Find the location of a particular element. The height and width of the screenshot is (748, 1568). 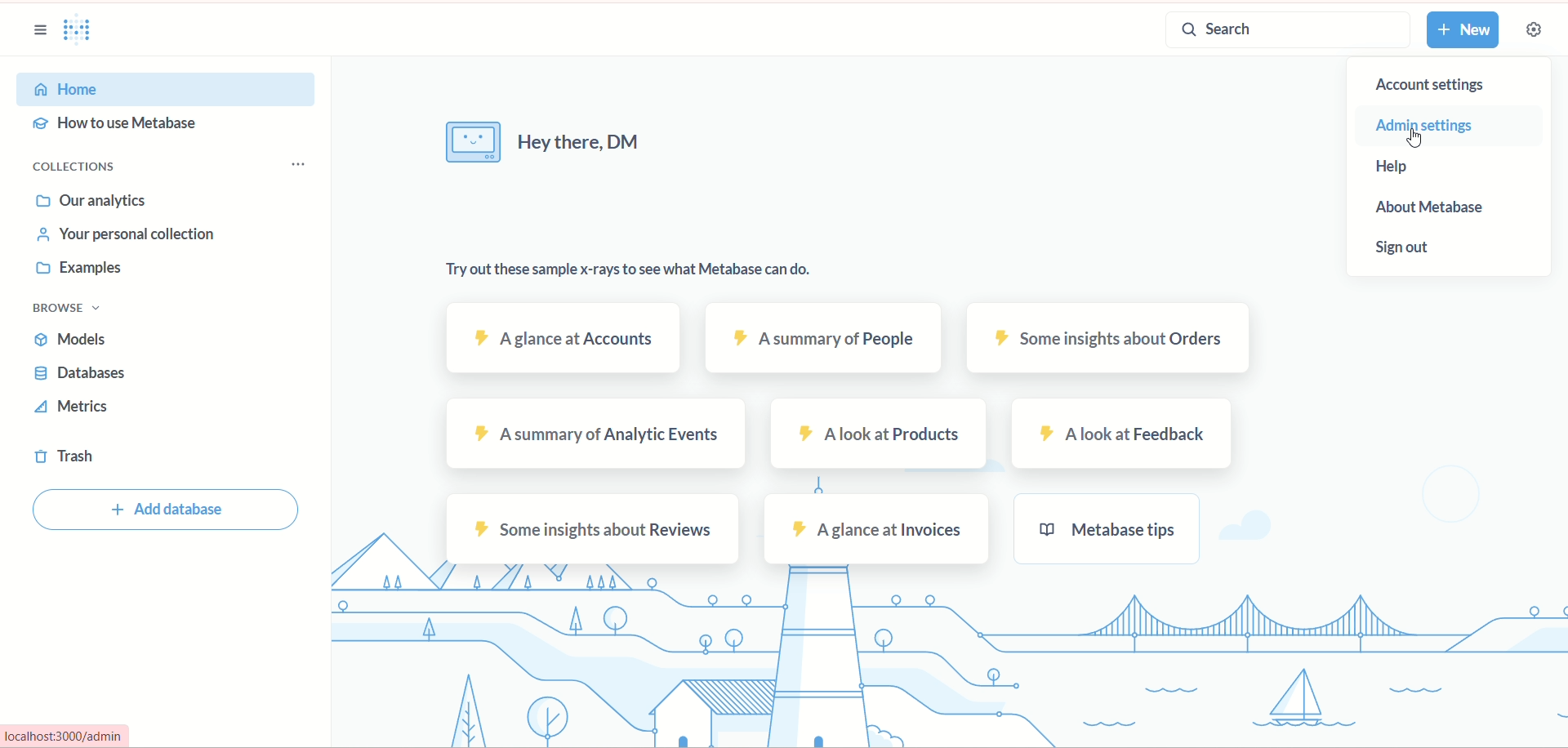

databases is located at coordinates (91, 375).